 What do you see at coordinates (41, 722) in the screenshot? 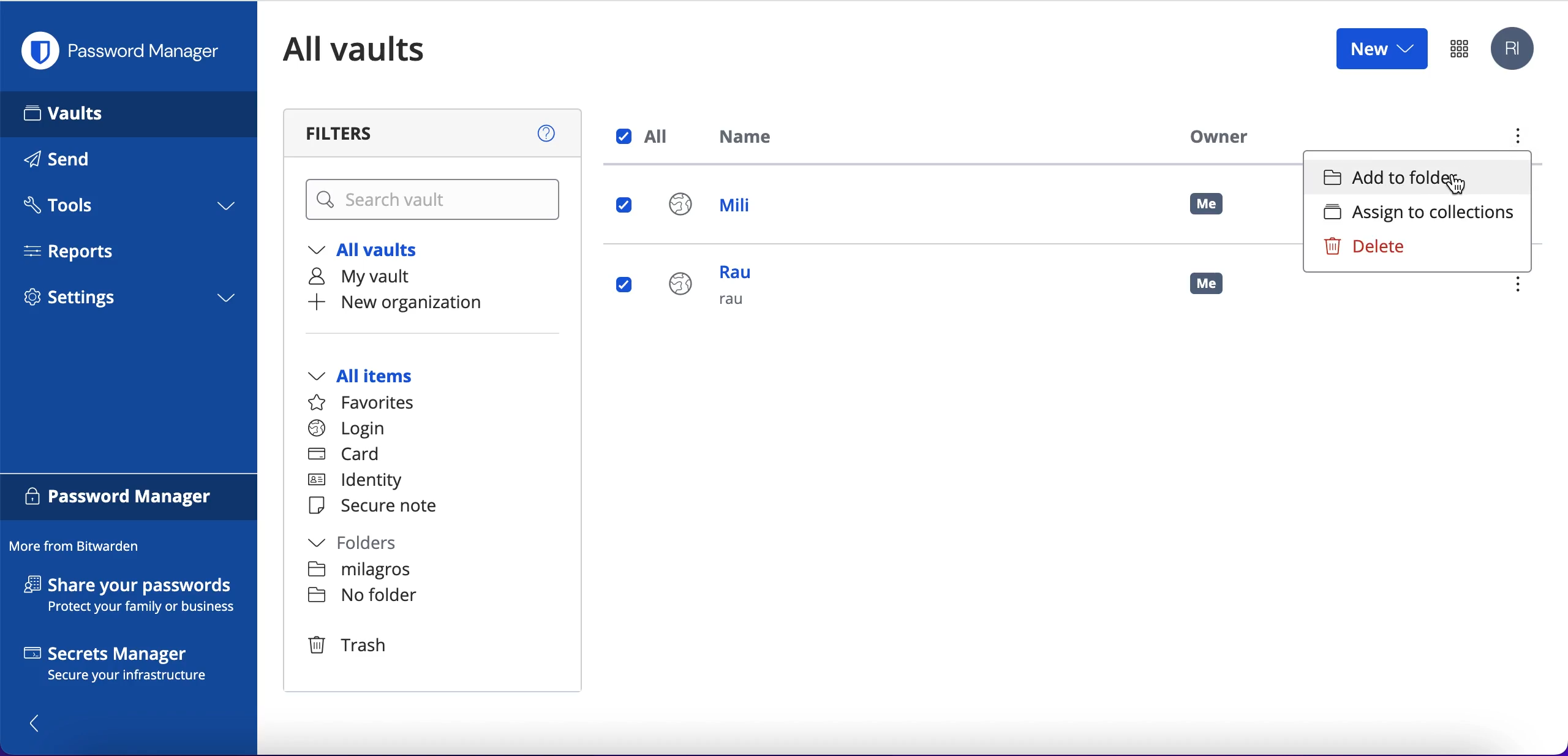
I see `show/hide panel` at bounding box center [41, 722].